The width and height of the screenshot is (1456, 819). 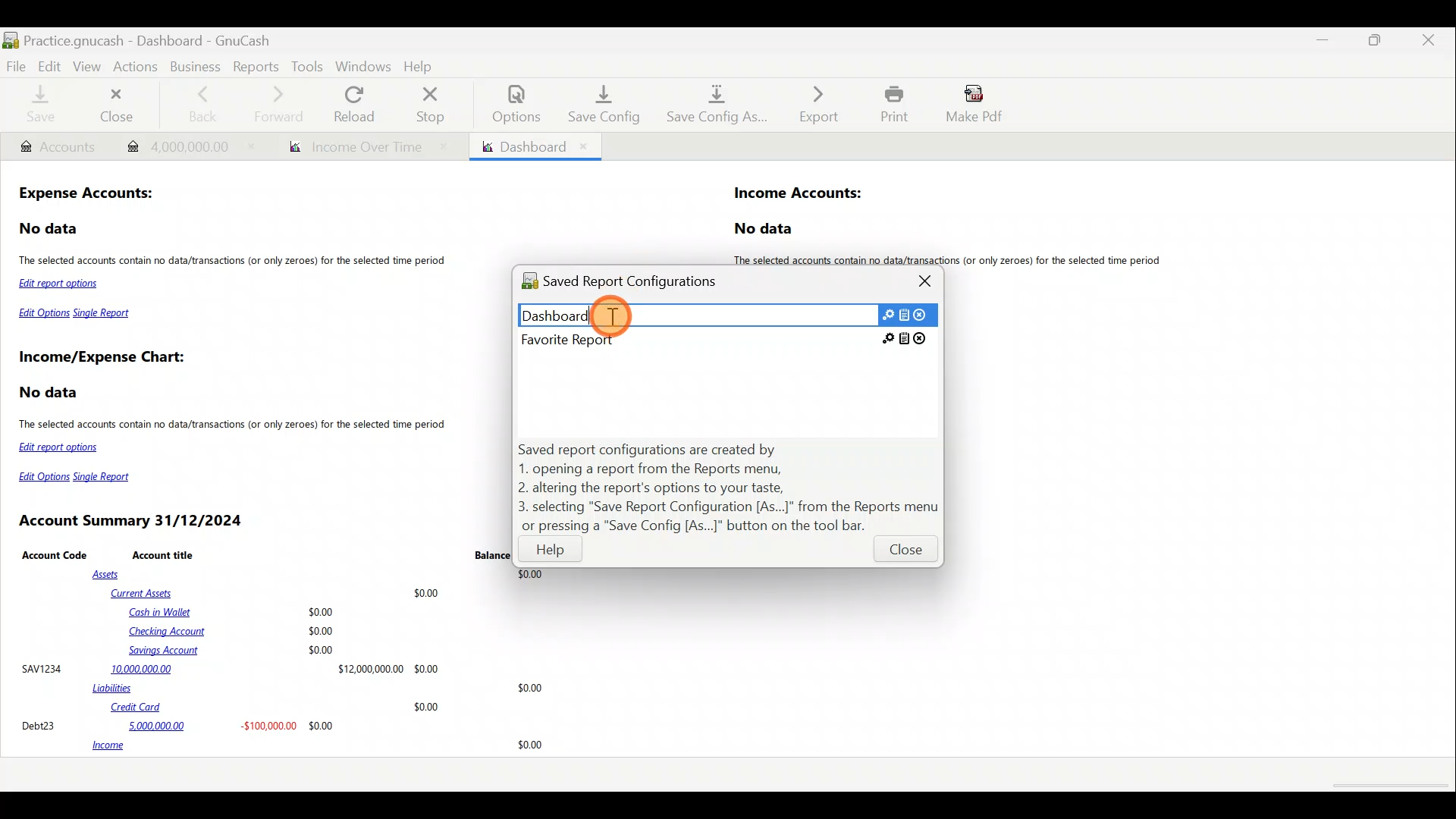 I want to click on Print, so click(x=890, y=104).